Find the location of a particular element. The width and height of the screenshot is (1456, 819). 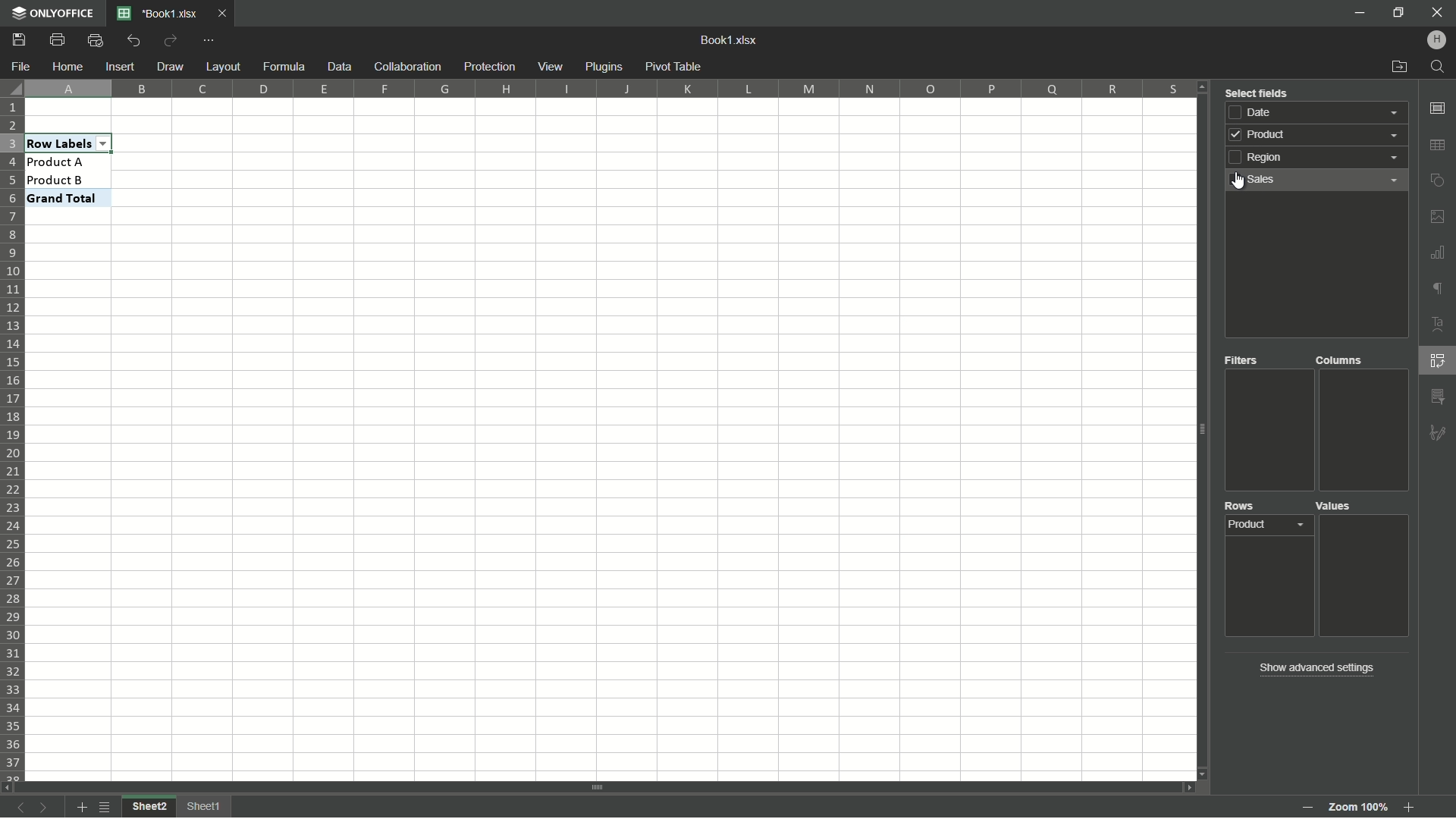

cells is located at coordinates (127, 117).